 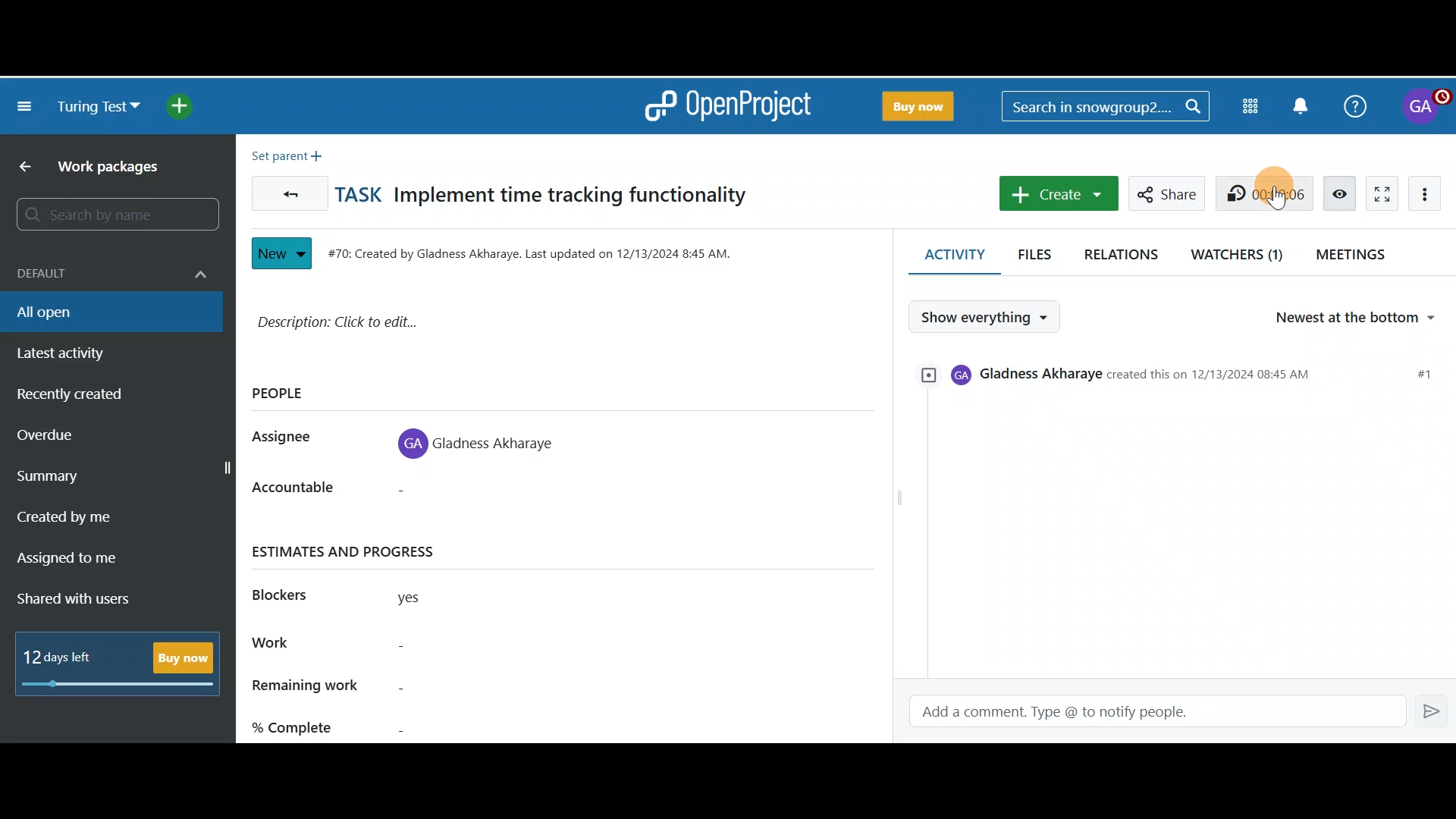 What do you see at coordinates (361, 551) in the screenshot?
I see `ESTIMATES AND PROGRESS` at bounding box center [361, 551].